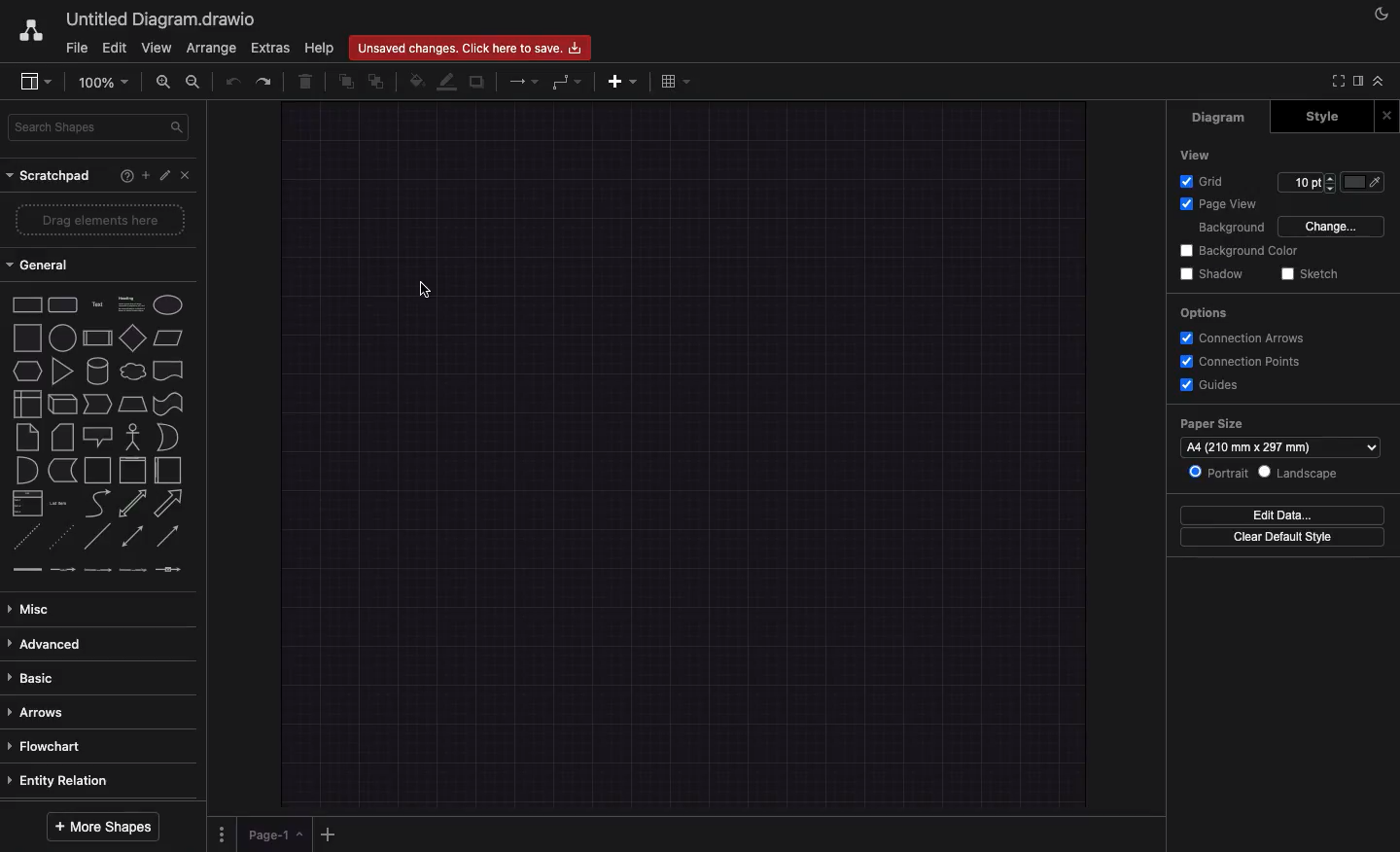 This screenshot has height=852, width=1400. What do you see at coordinates (1203, 311) in the screenshot?
I see `Options` at bounding box center [1203, 311].